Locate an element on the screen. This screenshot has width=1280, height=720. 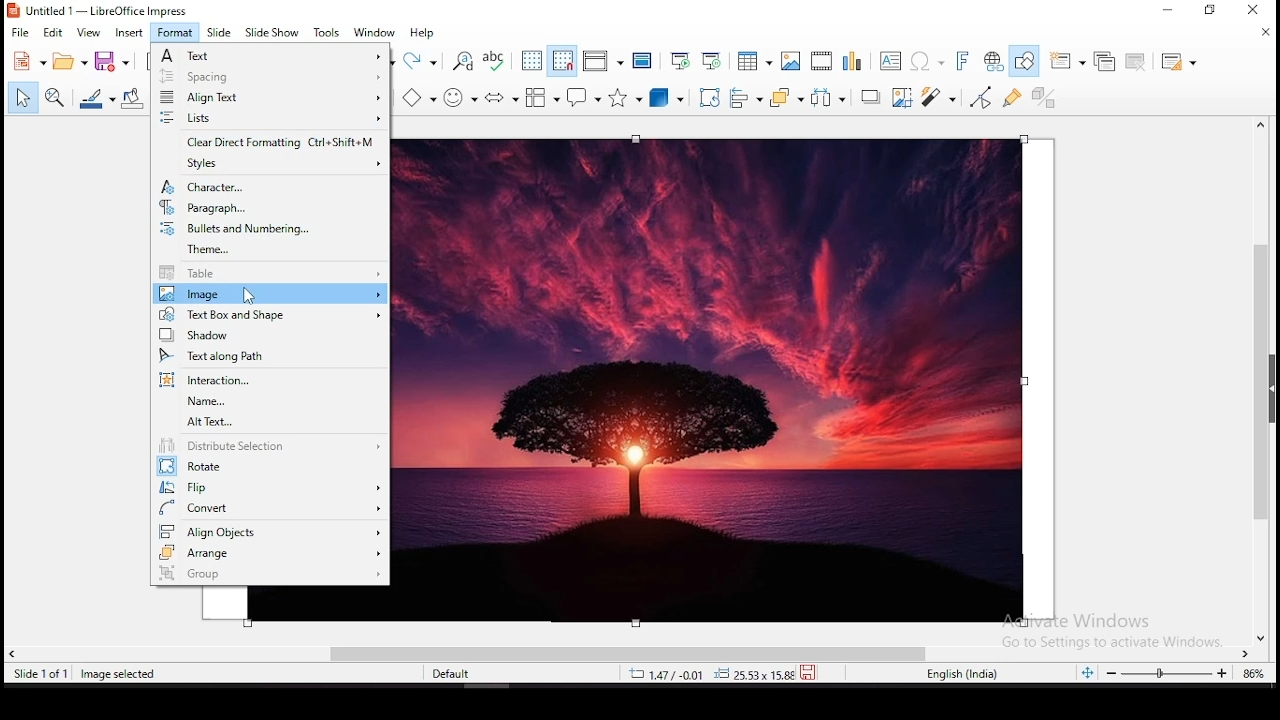
rotate is located at coordinates (272, 467).